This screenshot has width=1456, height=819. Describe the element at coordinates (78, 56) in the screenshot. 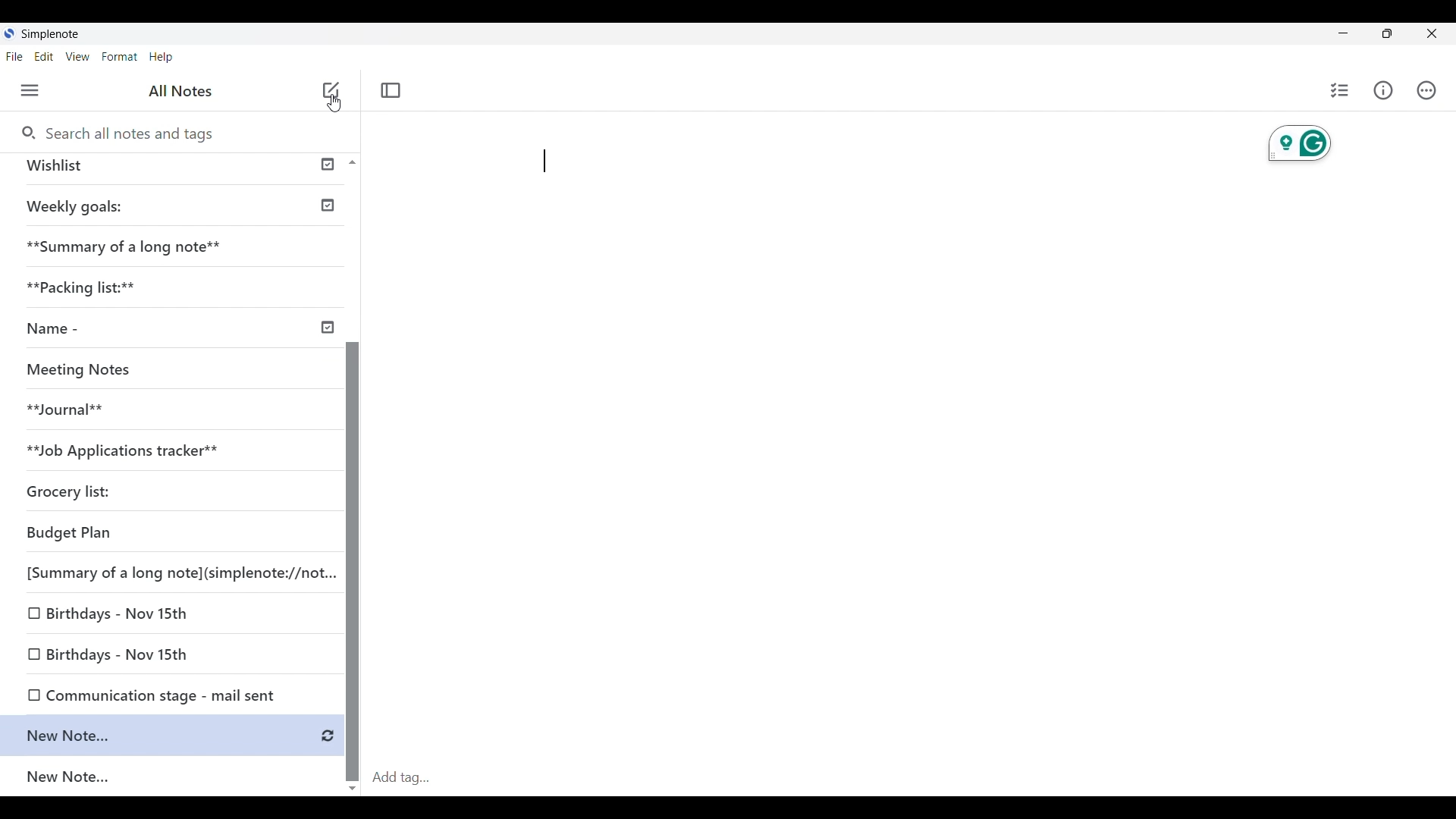

I see `Views menu` at that location.